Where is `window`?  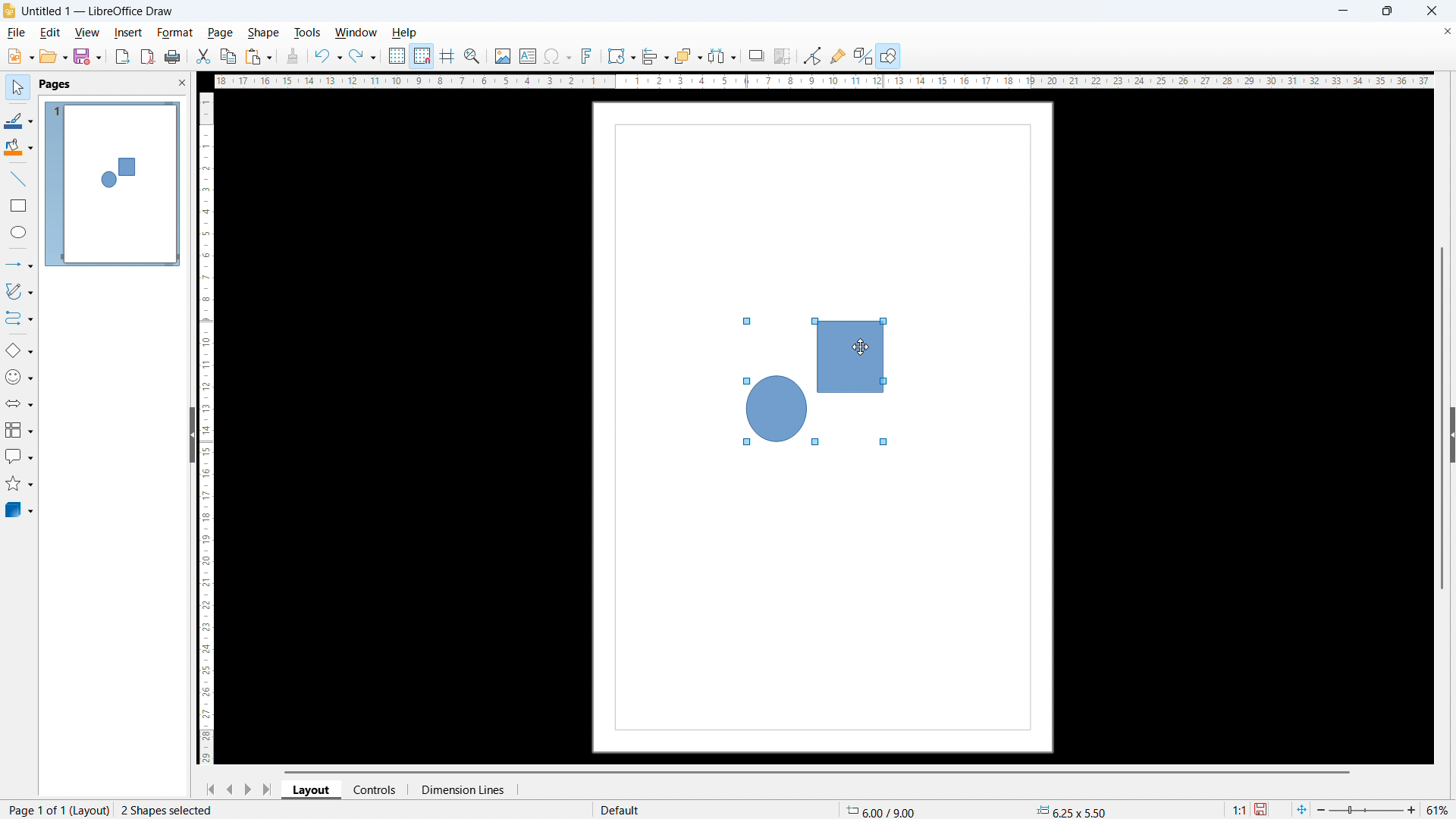 window is located at coordinates (356, 33).